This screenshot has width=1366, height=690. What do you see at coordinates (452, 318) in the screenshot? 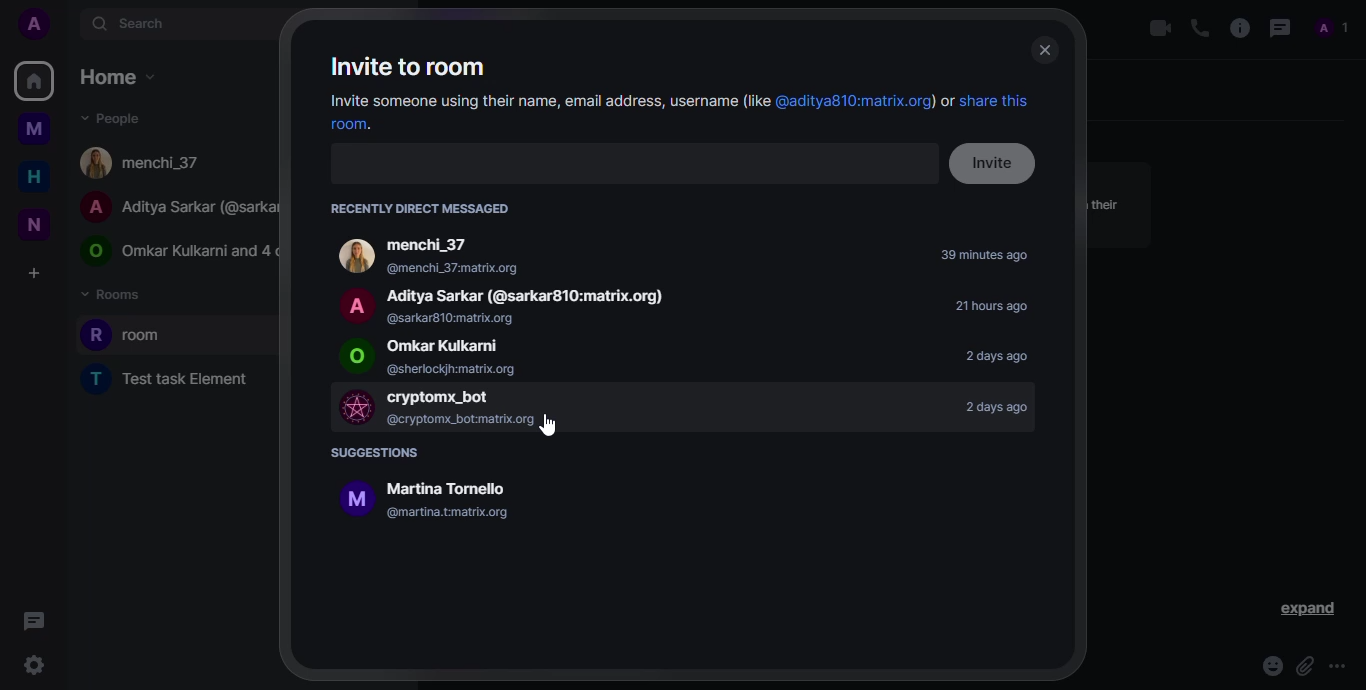
I see `` at bounding box center [452, 318].